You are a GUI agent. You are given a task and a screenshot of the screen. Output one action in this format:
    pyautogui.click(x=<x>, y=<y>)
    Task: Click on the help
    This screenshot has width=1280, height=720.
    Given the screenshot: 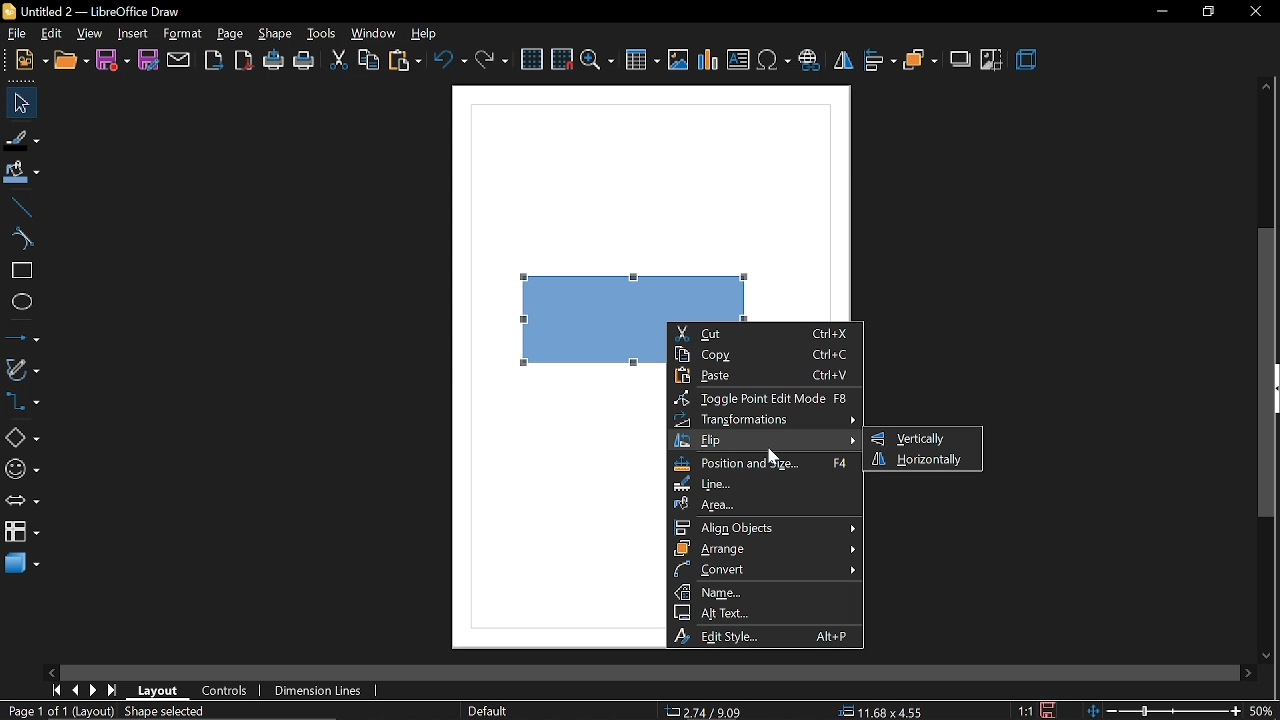 What is the action you would take?
    pyautogui.click(x=423, y=33)
    